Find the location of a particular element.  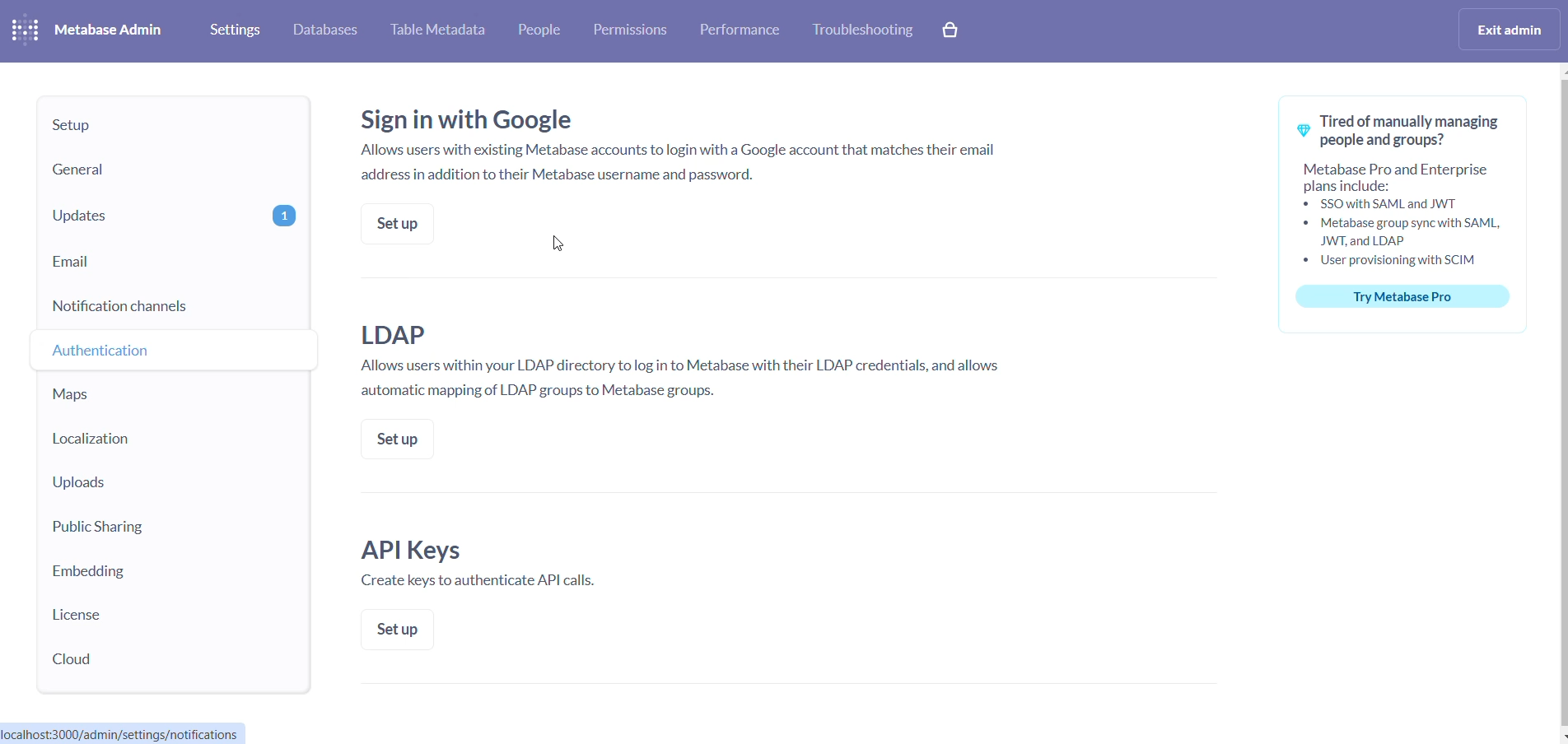

Allows users within your LDAP directory to log in to Metabase with their LDAP credentials, and allows
automatic mapping of LDAP groups to Metabase groups. is located at coordinates (693, 362).